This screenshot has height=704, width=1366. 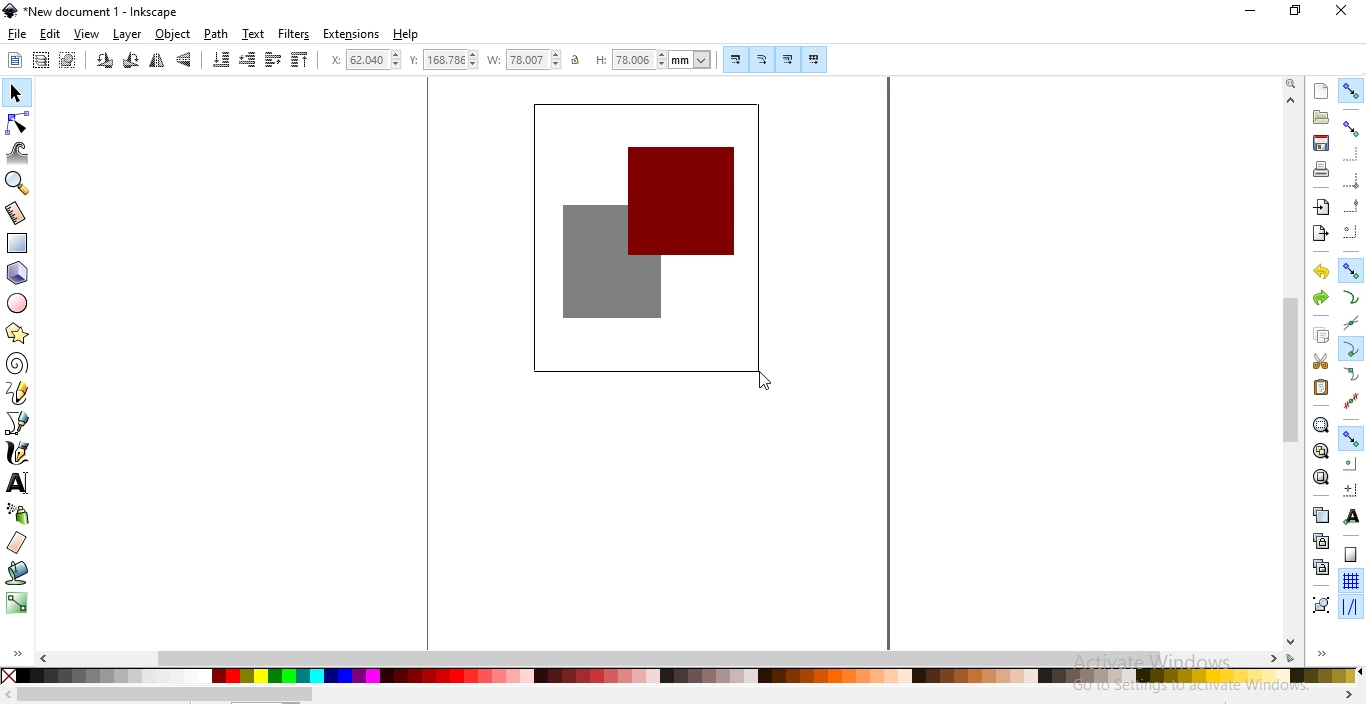 What do you see at coordinates (1350, 607) in the screenshot?
I see `snap guides` at bounding box center [1350, 607].